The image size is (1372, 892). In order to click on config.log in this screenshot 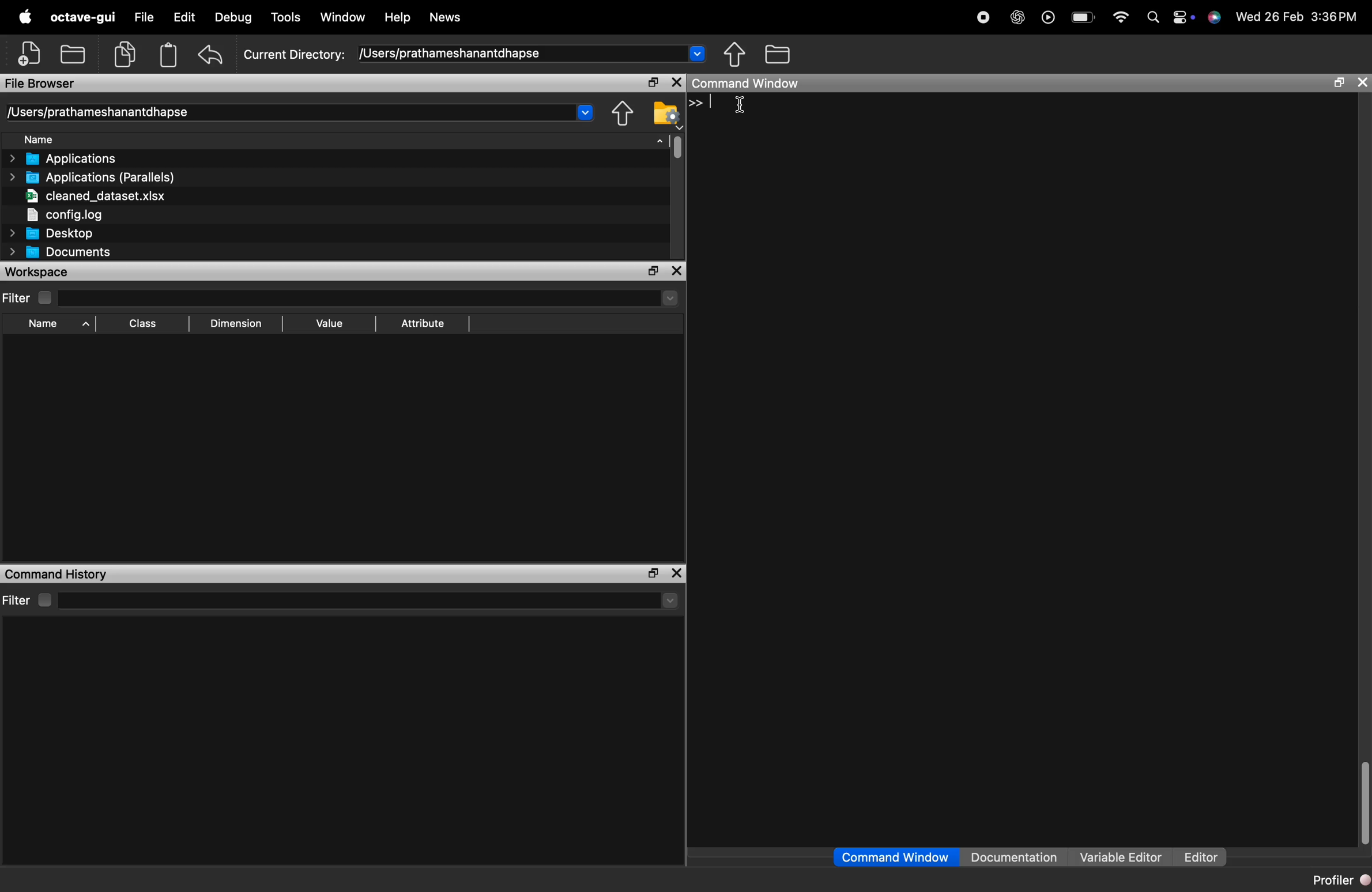, I will do `click(64, 216)`.